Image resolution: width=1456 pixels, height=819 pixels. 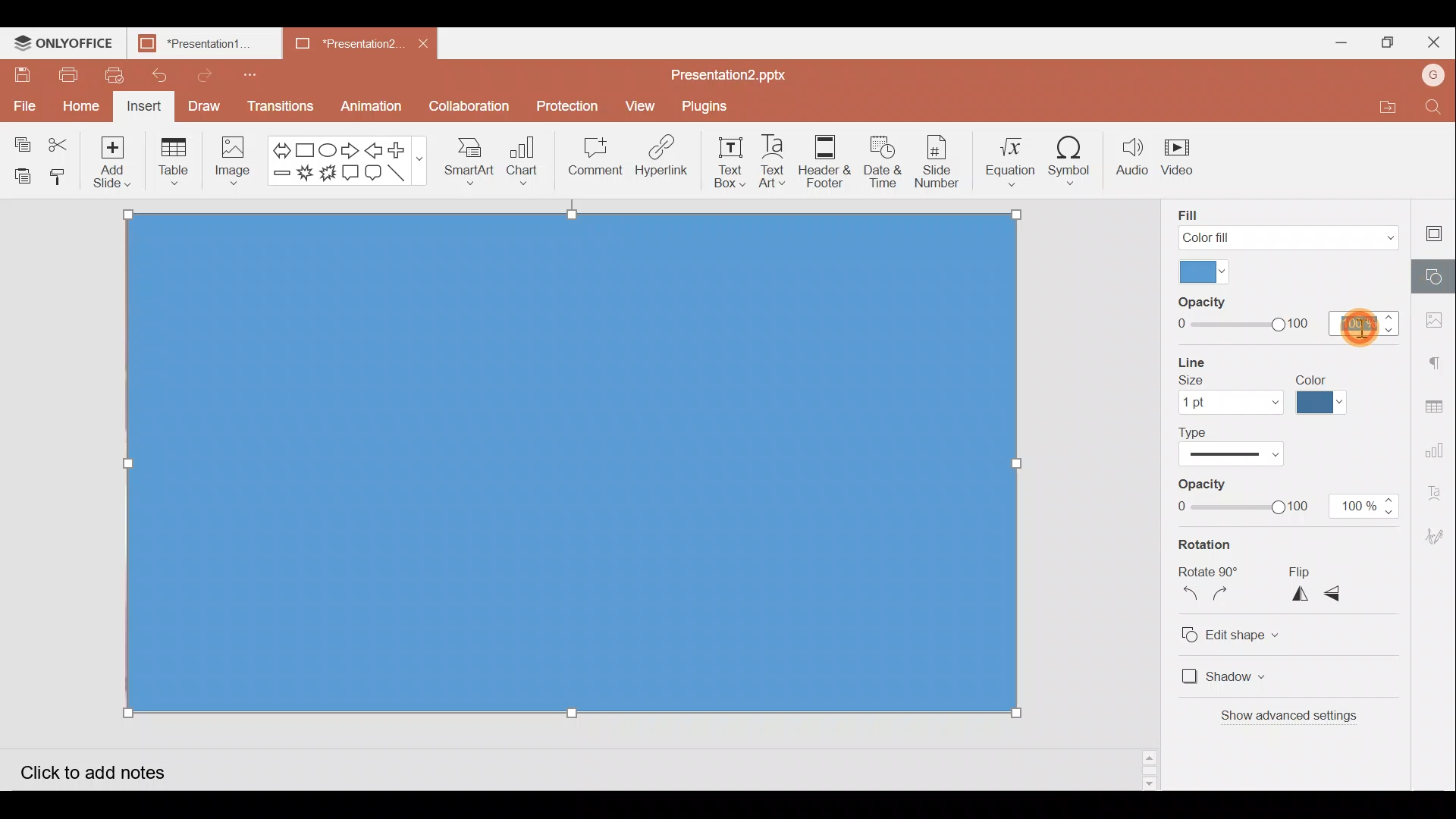 What do you see at coordinates (470, 106) in the screenshot?
I see `Collaboration` at bounding box center [470, 106].